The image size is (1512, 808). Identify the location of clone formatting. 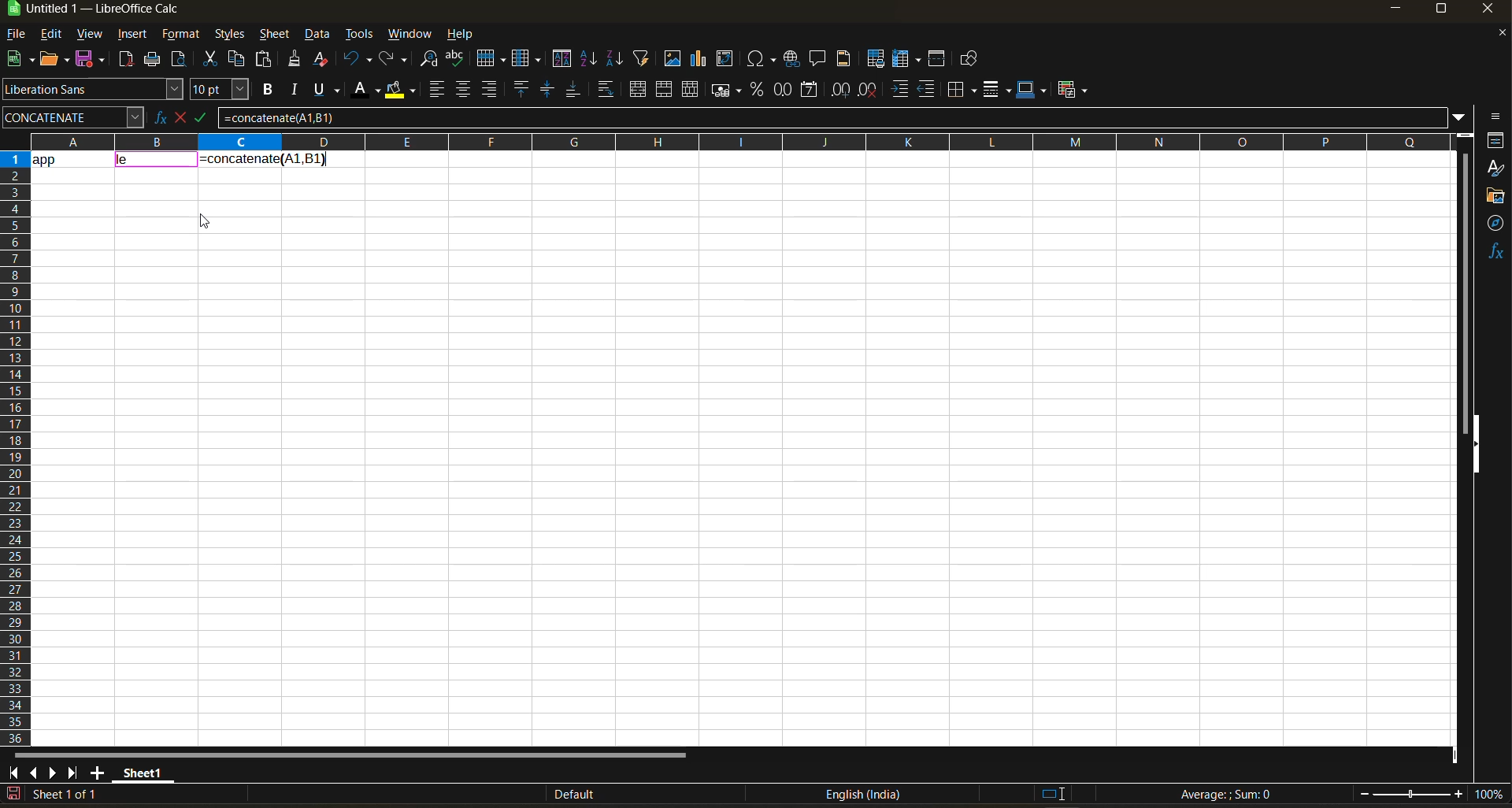
(295, 61).